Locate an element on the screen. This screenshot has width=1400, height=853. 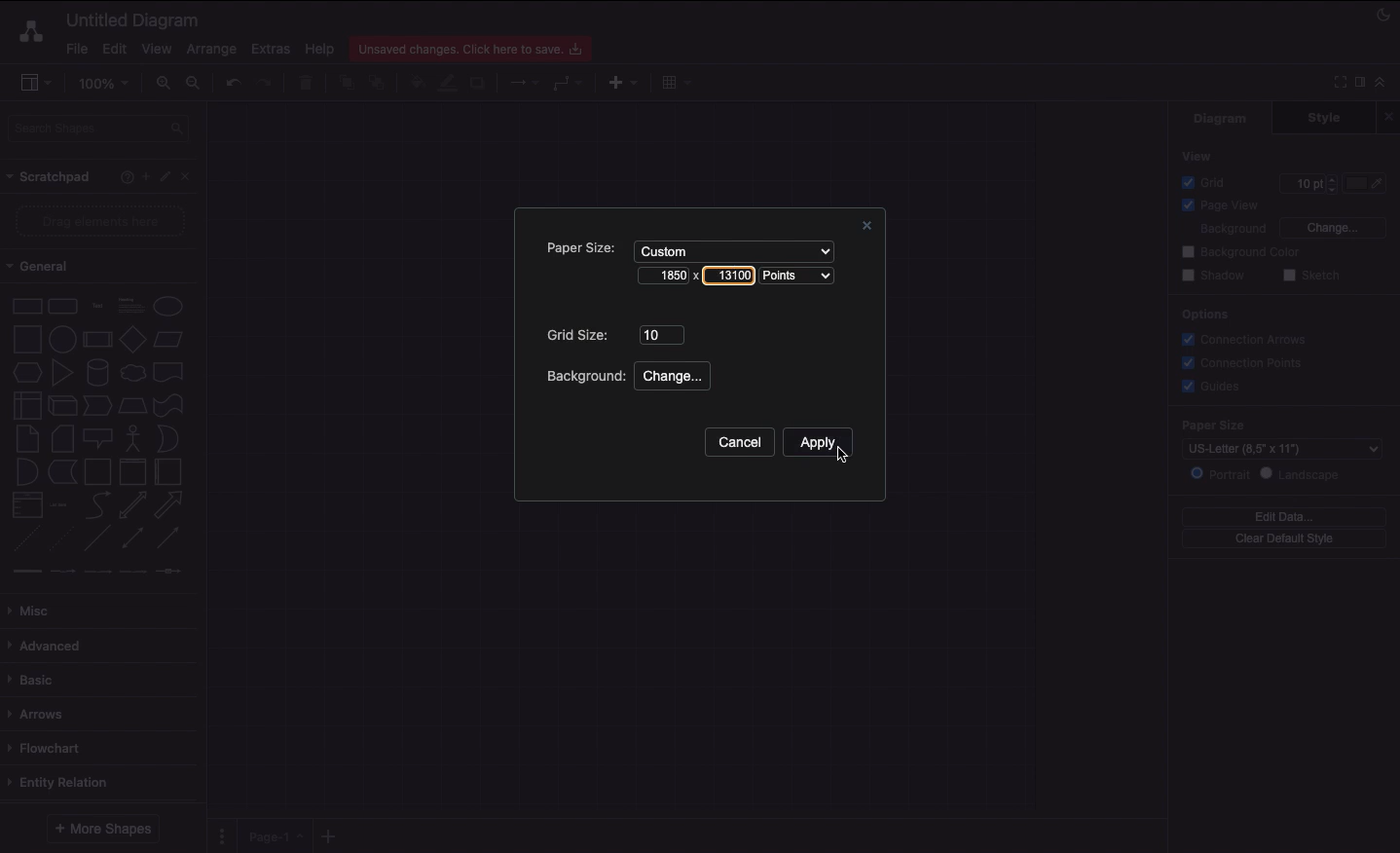
Apply is located at coordinates (819, 446).